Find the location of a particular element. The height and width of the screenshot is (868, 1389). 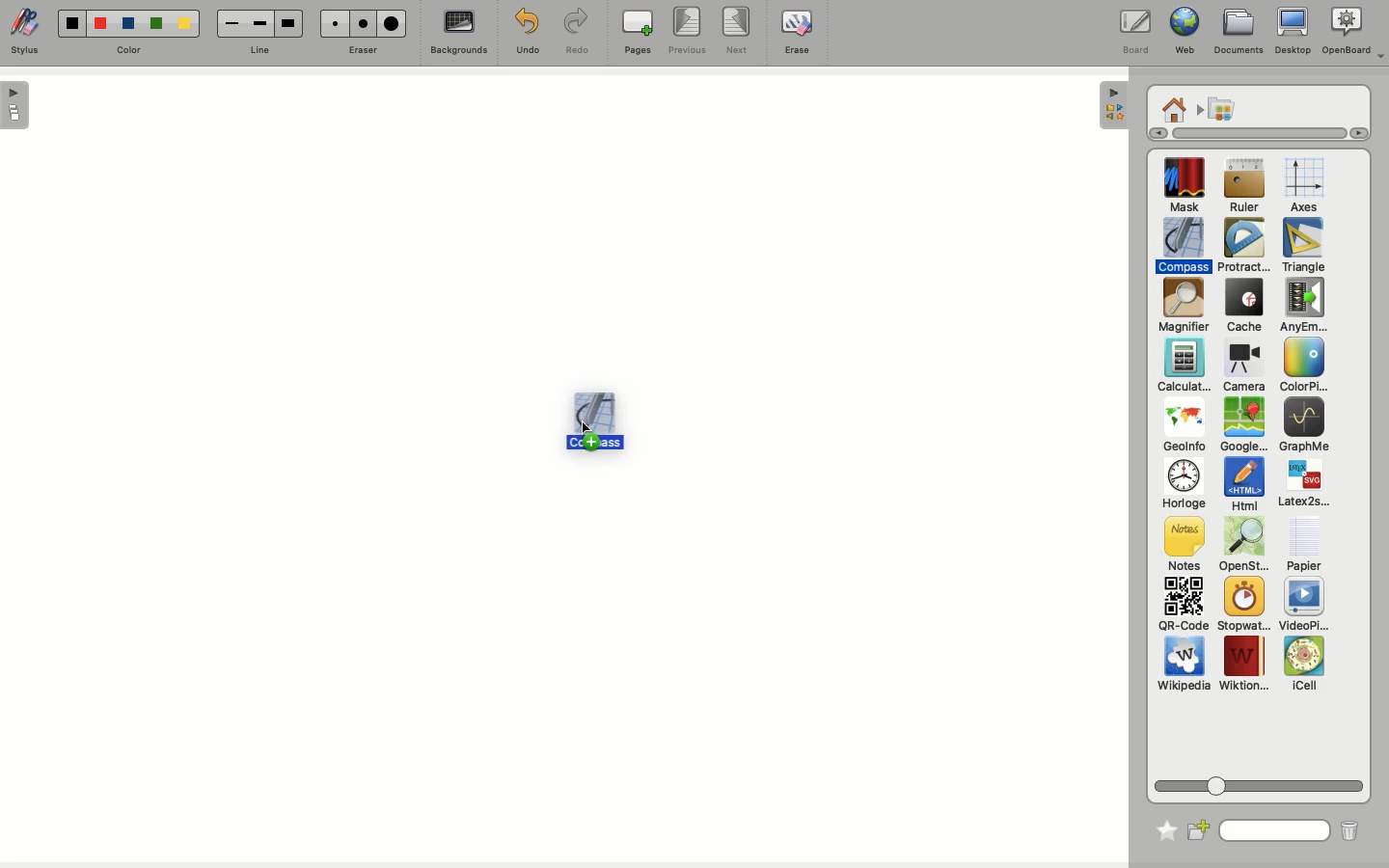

line2 is located at coordinates (259, 23).